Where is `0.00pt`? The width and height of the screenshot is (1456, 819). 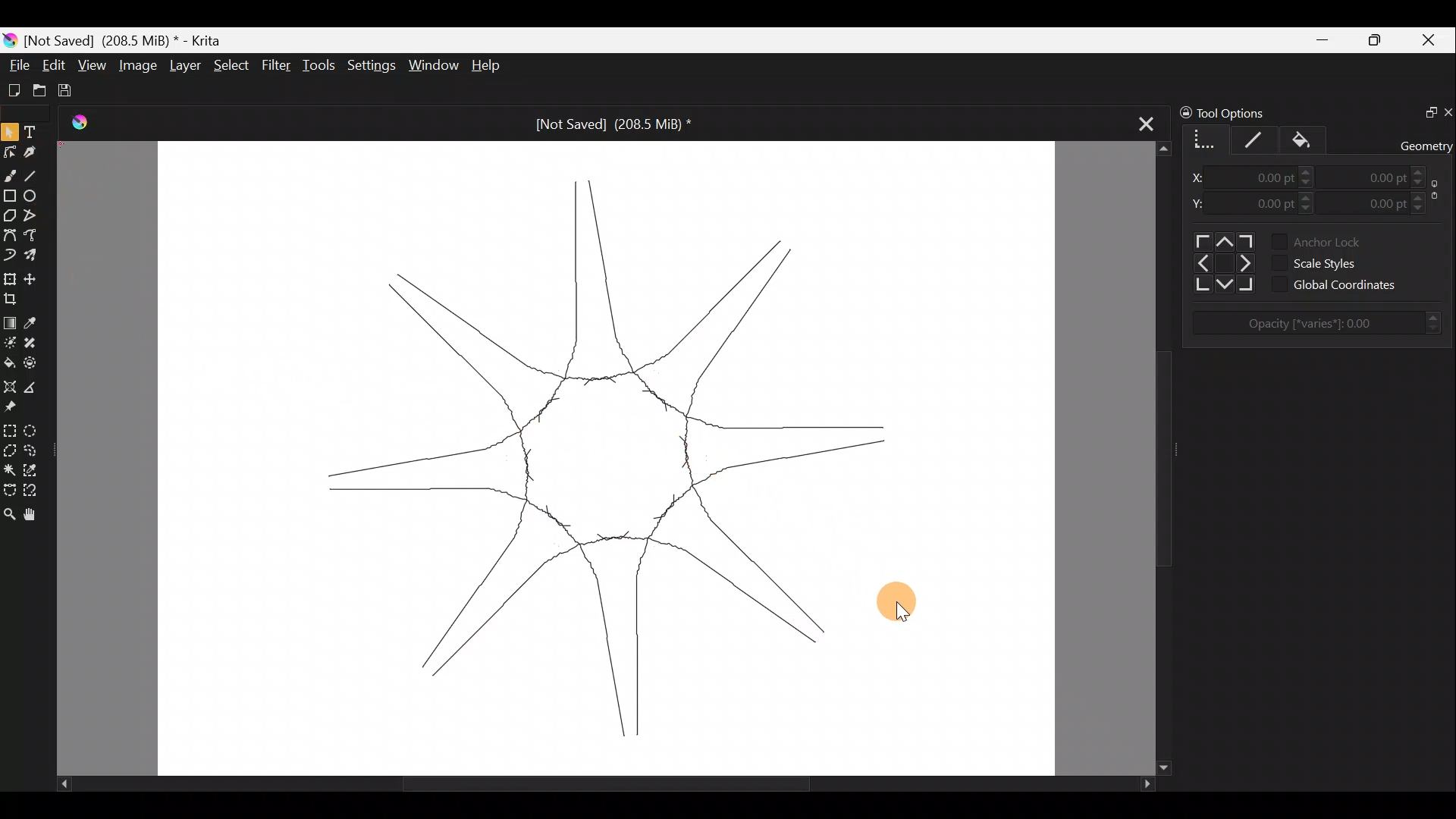
0.00pt is located at coordinates (1375, 200).